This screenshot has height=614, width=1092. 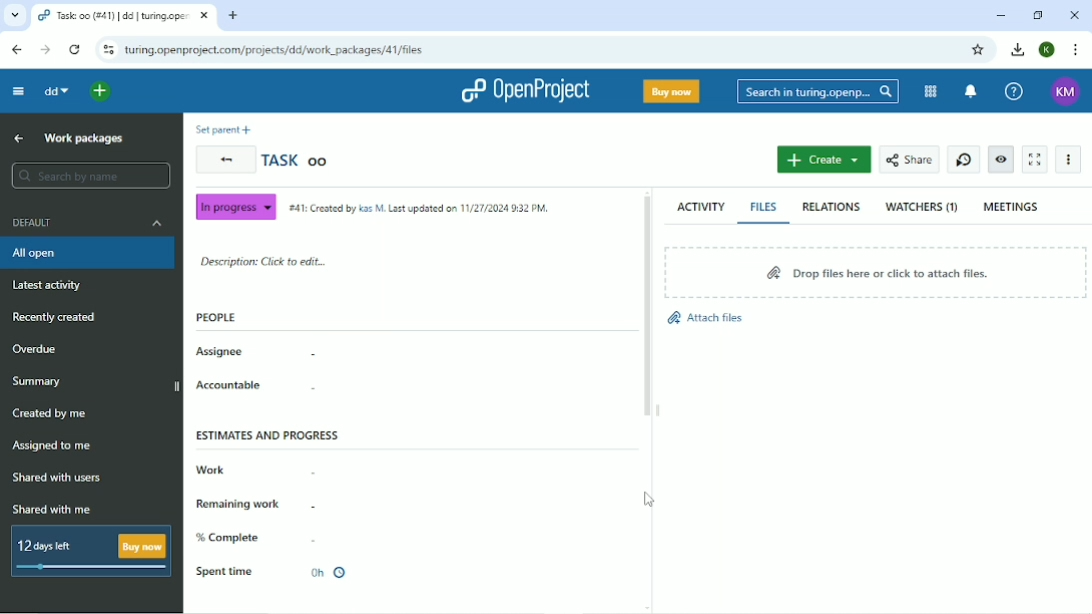 I want to click on dd, so click(x=56, y=91).